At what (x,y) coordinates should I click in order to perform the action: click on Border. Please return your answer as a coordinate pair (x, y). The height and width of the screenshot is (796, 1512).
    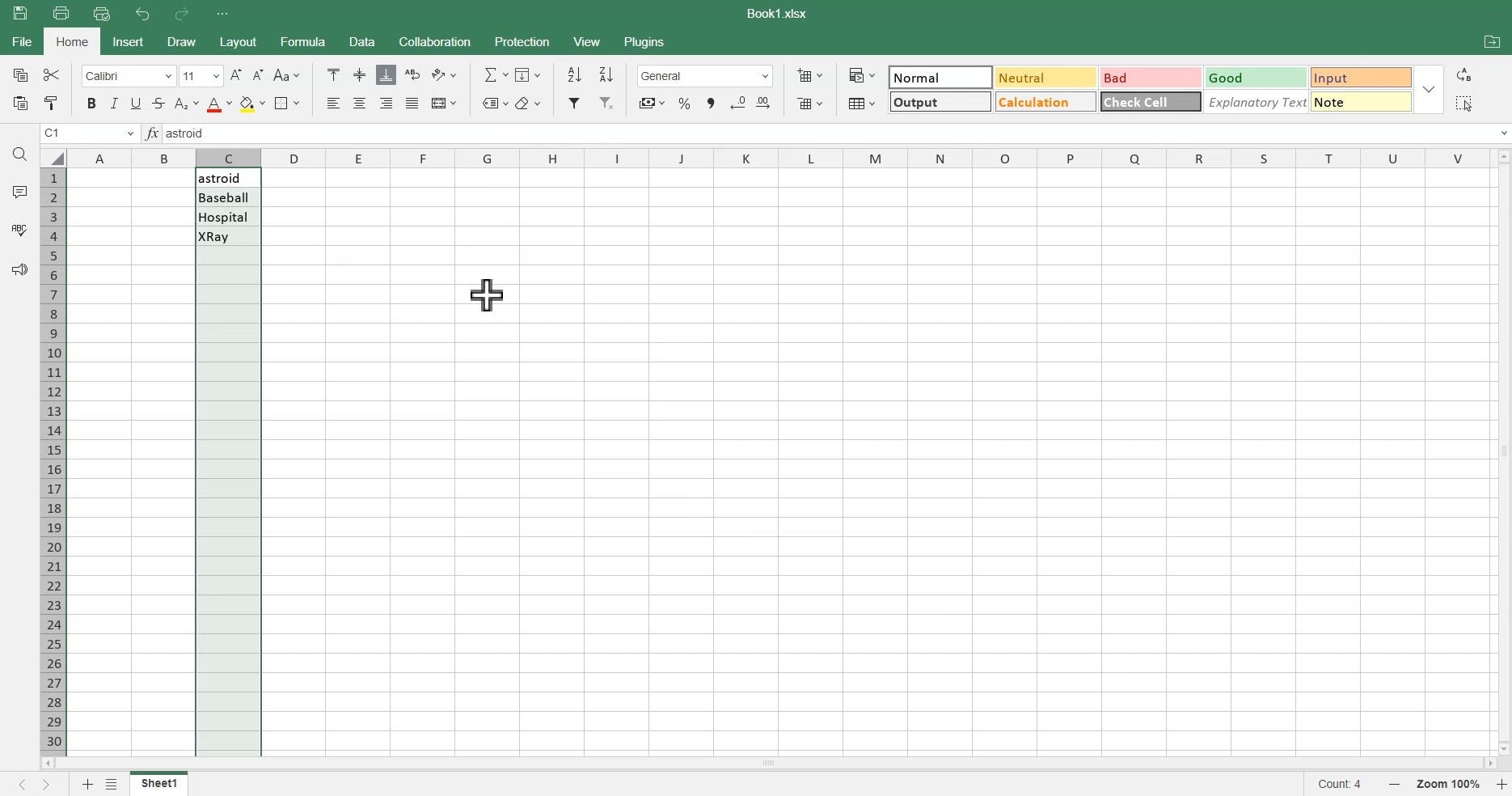
    Looking at the image, I should click on (287, 104).